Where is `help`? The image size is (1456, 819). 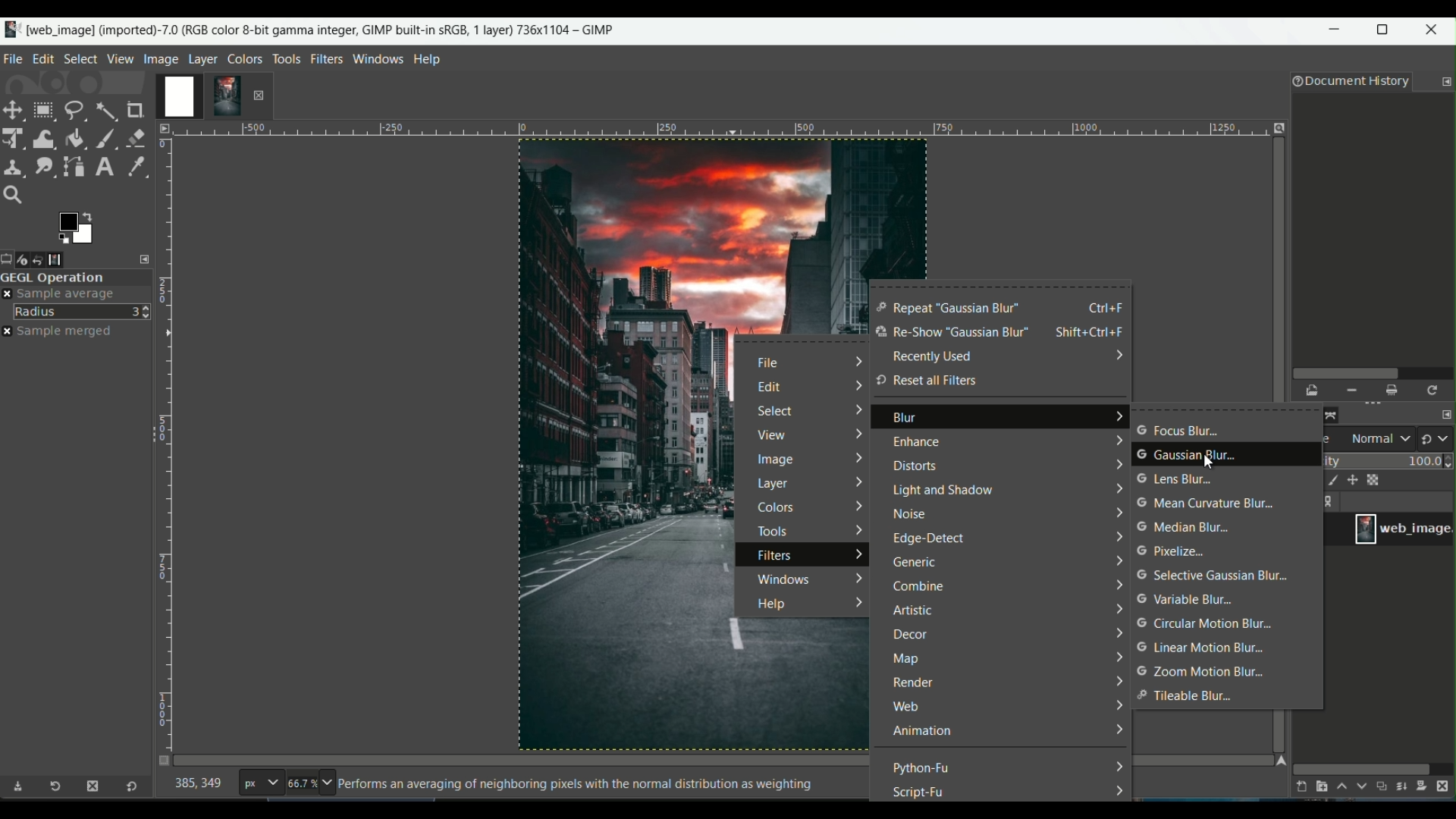
help is located at coordinates (768, 605).